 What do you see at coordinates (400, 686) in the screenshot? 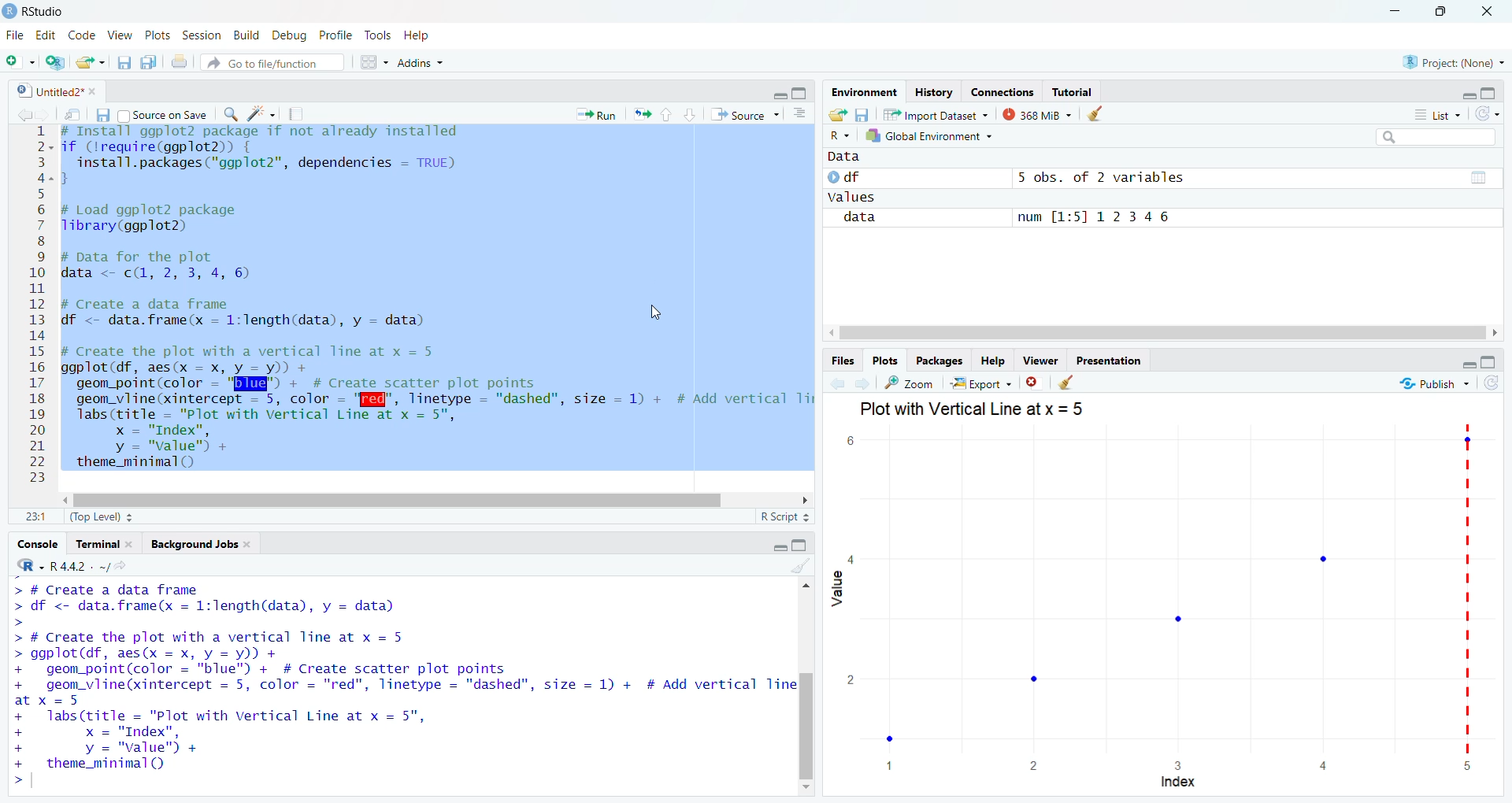
I see `> # Create a data Trame

> df <- data.frame(x = 1:length(data), y = data)

>

> # Create the plot with a vertical line at x = 5

> ggplot(df, aes(x = x, y = y)) +

+ geom_point(color = "blue") + # Create scatter plot points
+ geom_vline(xintercept = 5, color = "red", linetype = "dashed", size = 1) + # Add vertical Tine
at x = 5

+ labs(title = "Plot with Vertical Line at x = 5",

+ x = "Index",

+ y = "value" +

+ theme_minimal()

>|` at bounding box center [400, 686].